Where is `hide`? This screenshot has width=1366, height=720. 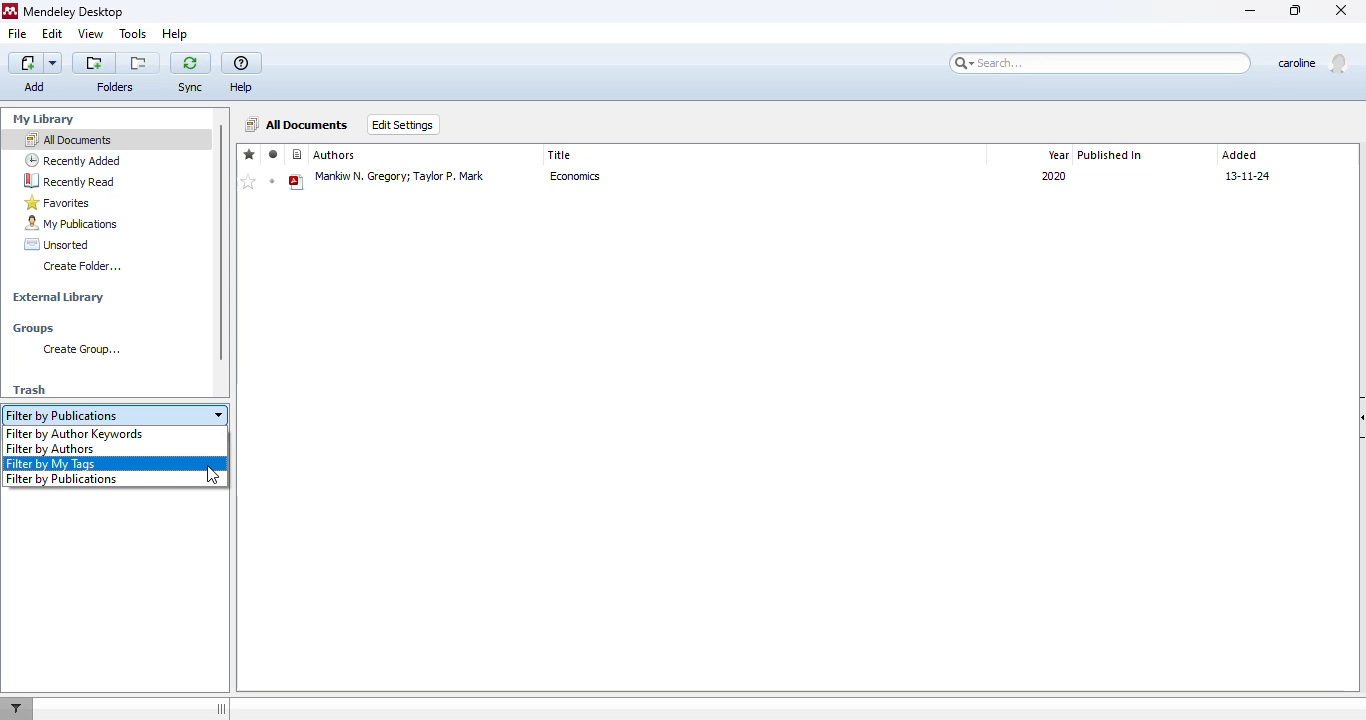 hide is located at coordinates (1357, 418).